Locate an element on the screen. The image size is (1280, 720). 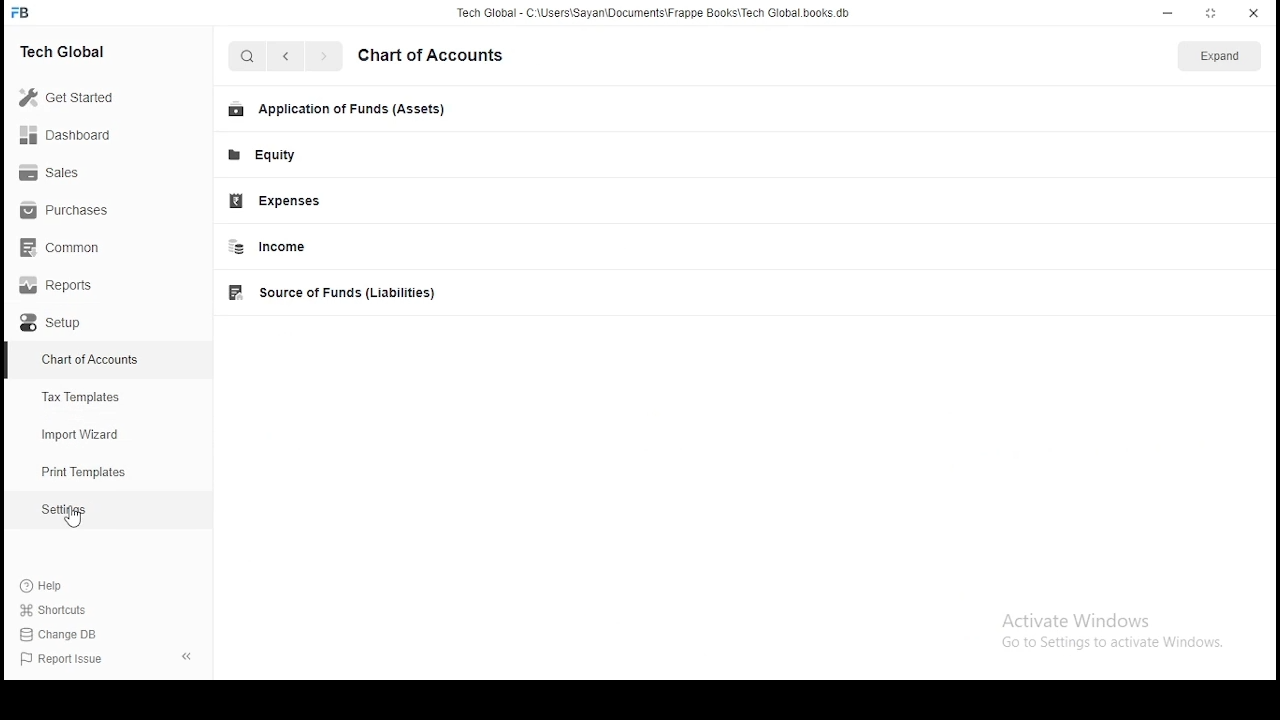
Report issue is located at coordinates (64, 661).